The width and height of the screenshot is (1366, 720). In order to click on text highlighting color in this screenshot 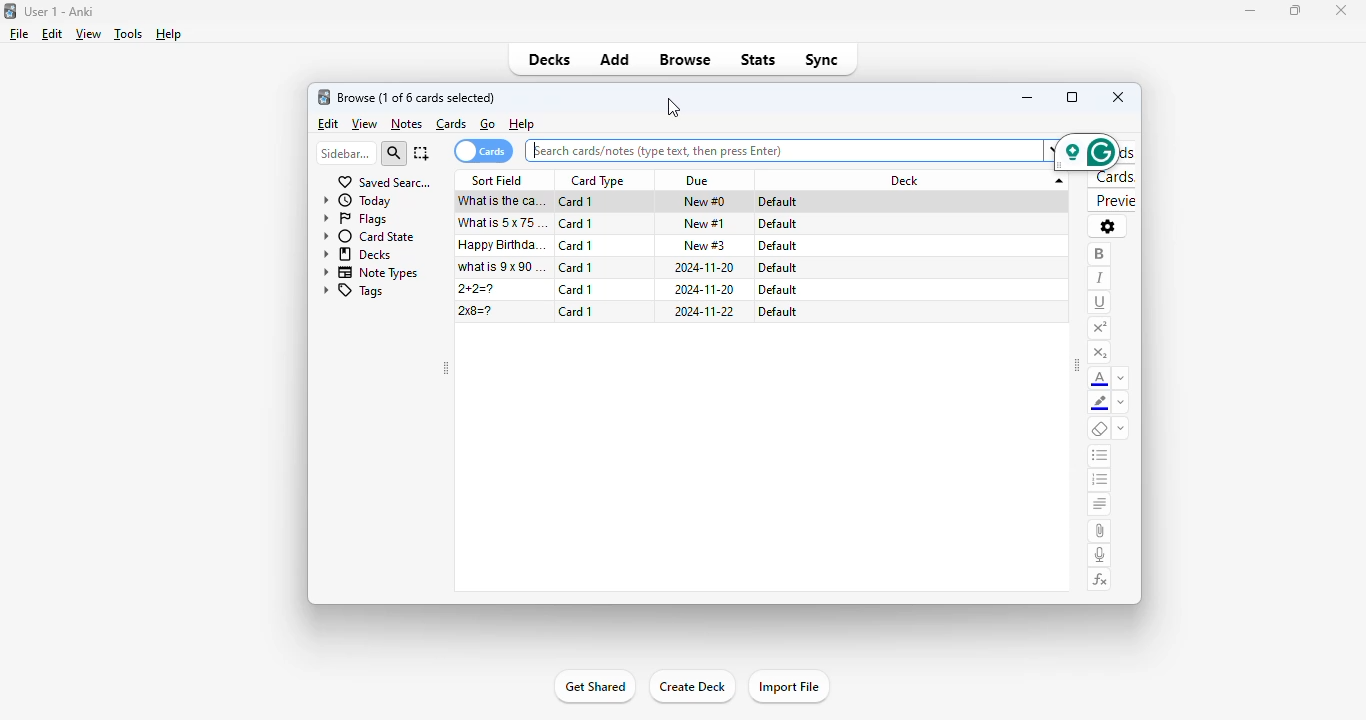, I will do `click(1100, 403)`.